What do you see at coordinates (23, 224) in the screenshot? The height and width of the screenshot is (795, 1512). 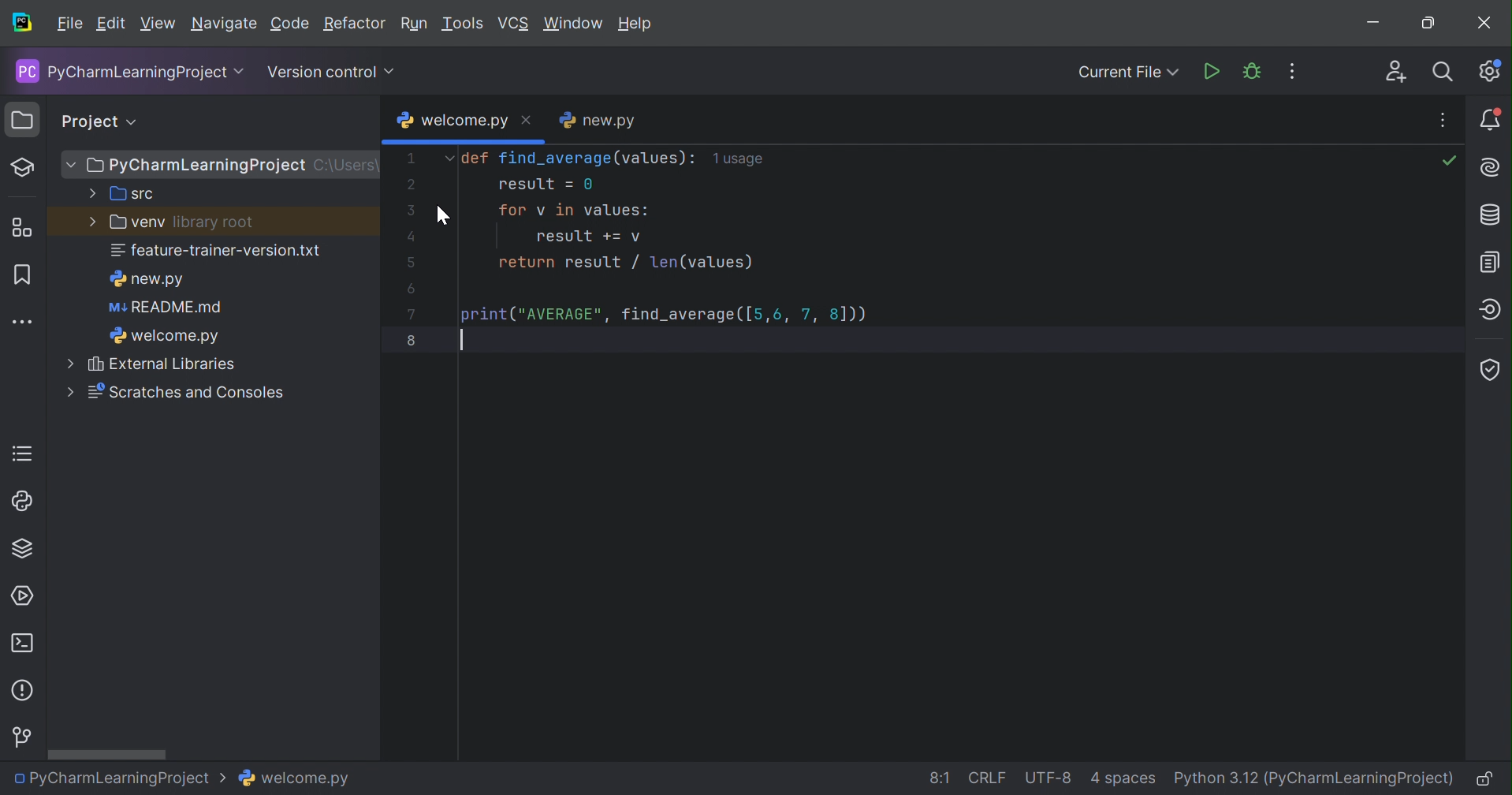 I see `Structure` at bounding box center [23, 224].